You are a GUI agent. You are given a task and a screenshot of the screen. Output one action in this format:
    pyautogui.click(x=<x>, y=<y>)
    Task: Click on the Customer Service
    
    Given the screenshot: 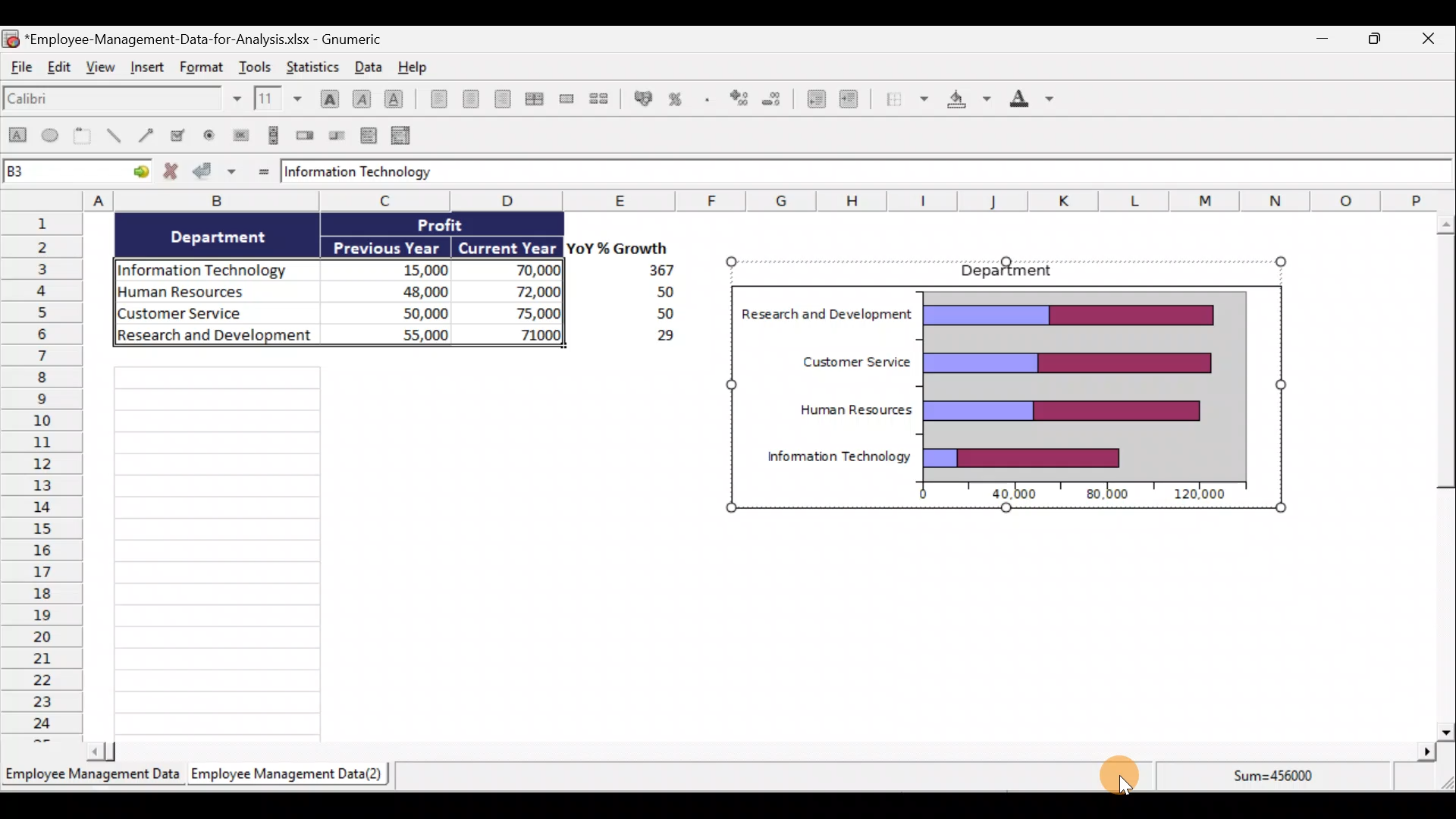 What is the action you would take?
    pyautogui.click(x=220, y=315)
    